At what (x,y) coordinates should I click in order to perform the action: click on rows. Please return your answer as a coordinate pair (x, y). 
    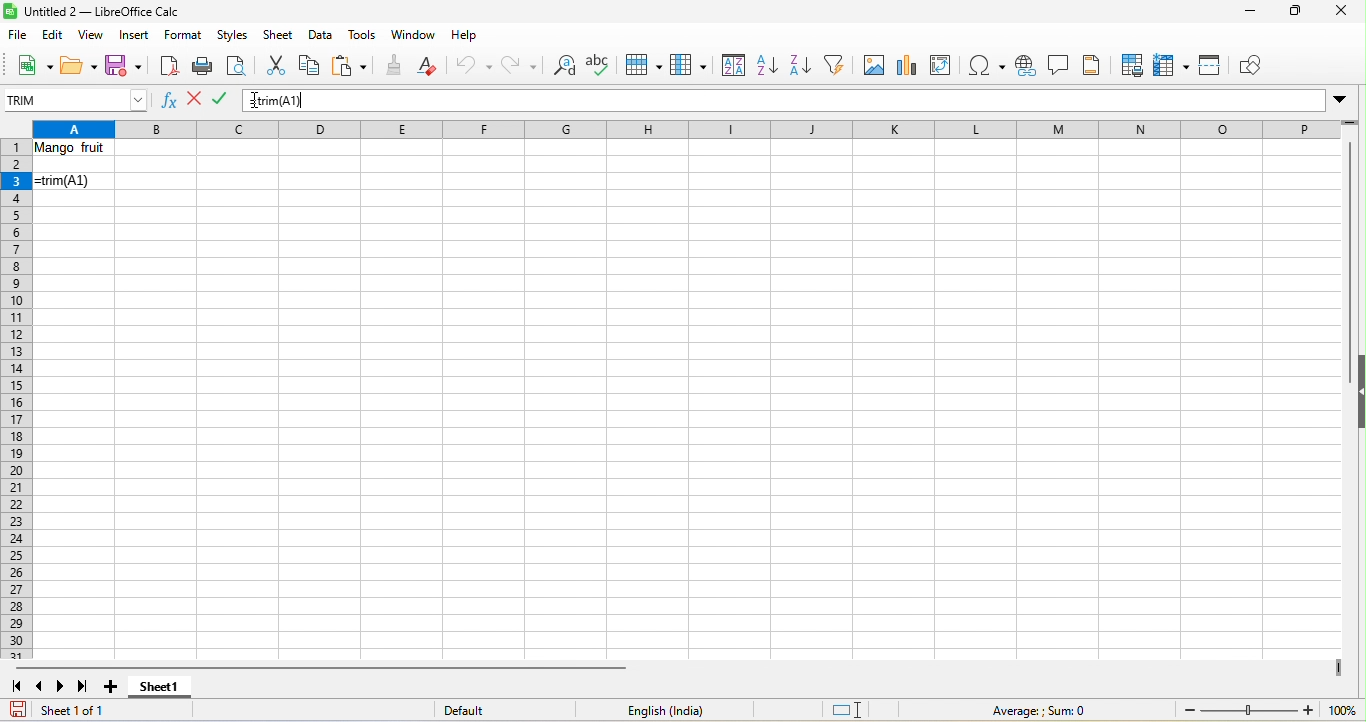
    Looking at the image, I should click on (18, 400).